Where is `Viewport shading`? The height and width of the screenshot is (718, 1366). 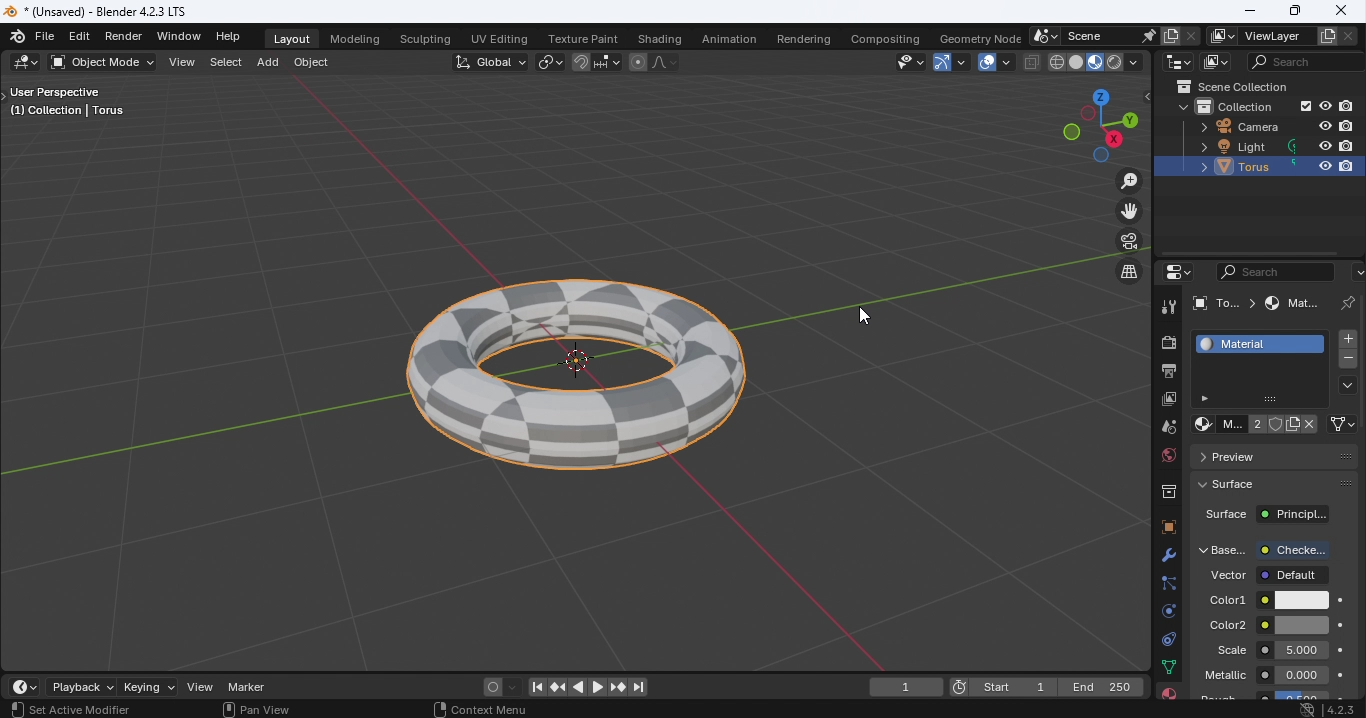
Viewport shading is located at coordinates (1094, 62).